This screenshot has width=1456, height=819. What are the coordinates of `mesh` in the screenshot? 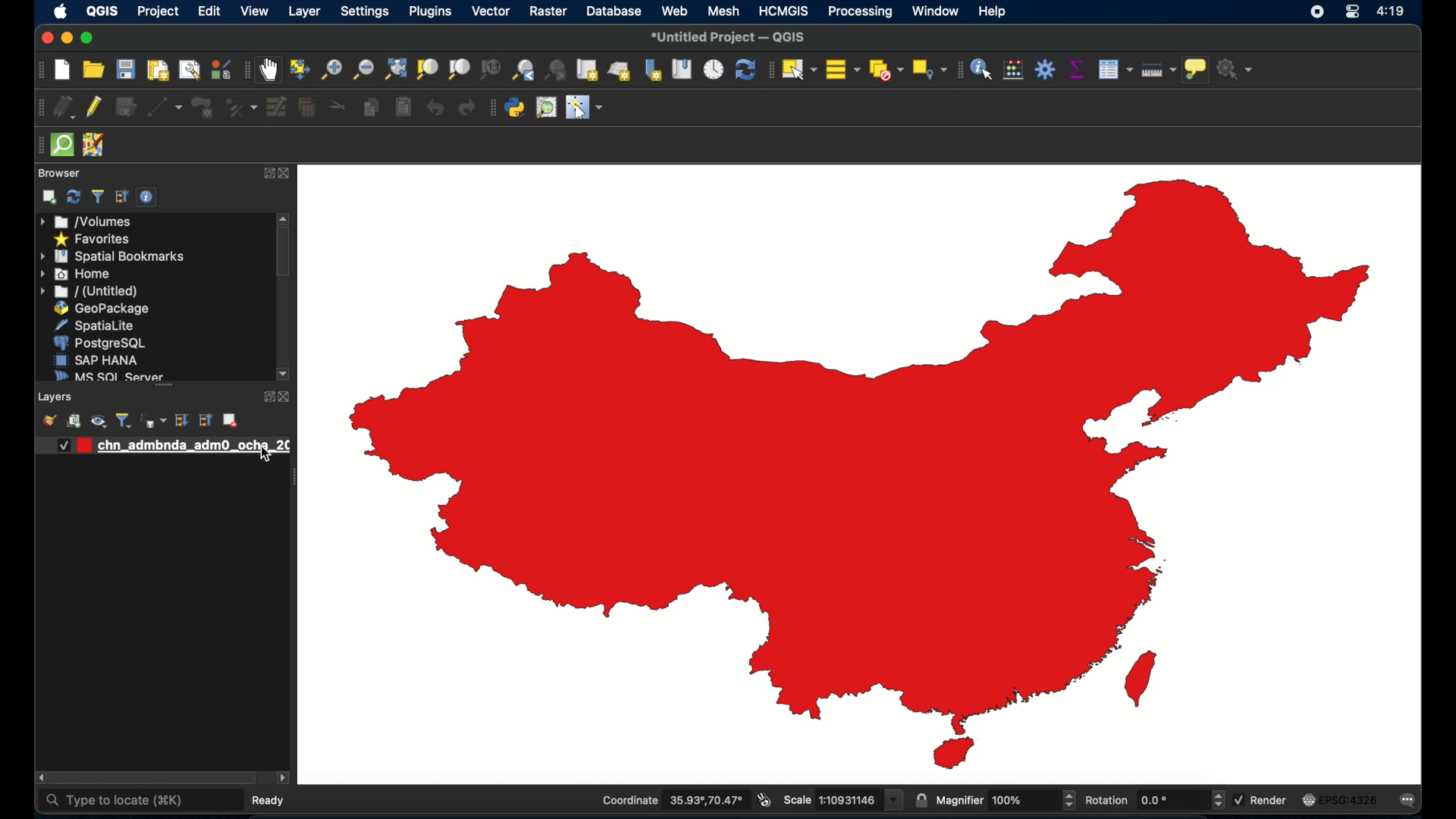 It's located at (723, 11).